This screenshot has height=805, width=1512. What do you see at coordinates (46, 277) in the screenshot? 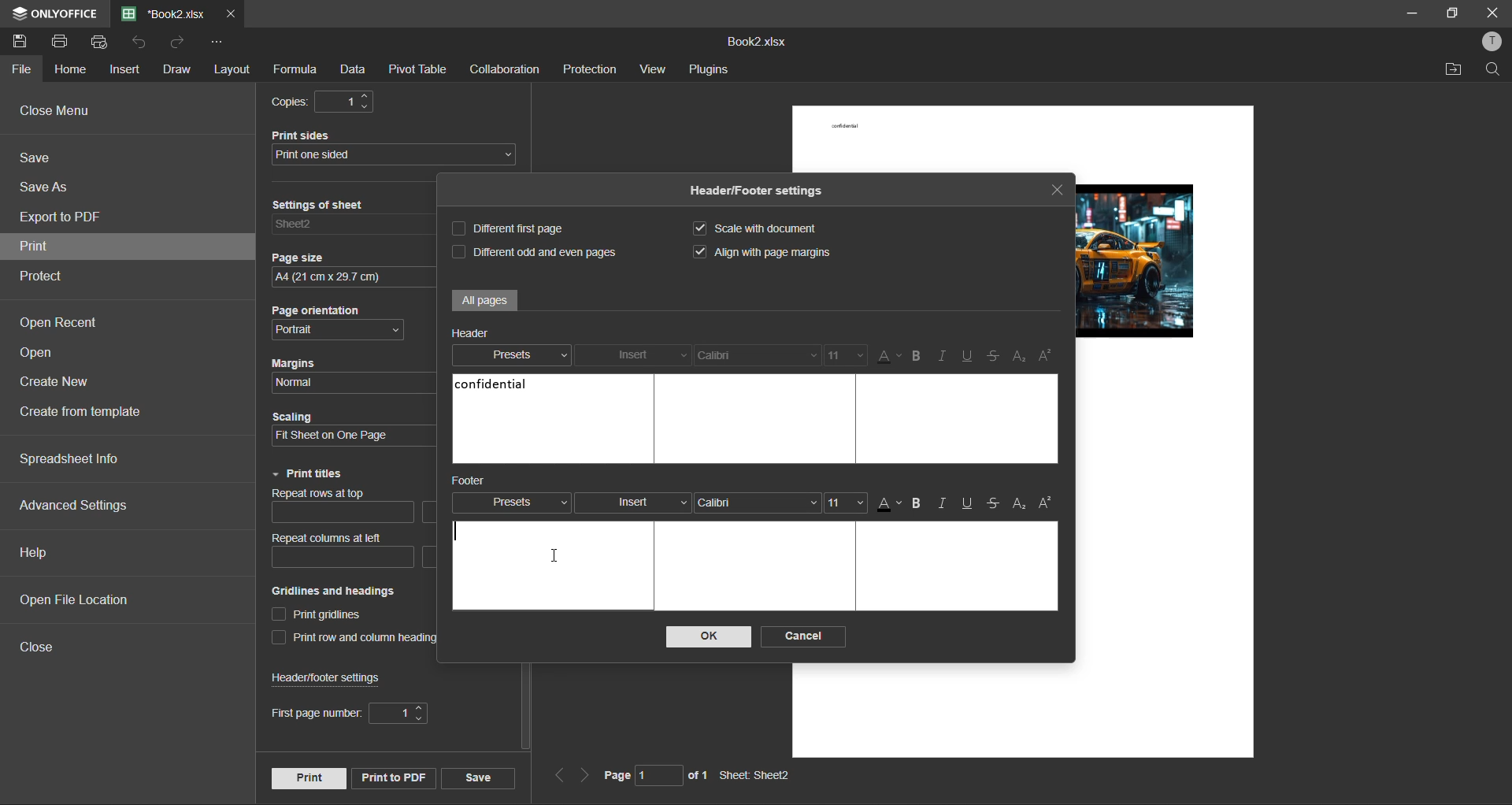
I see `protect` at bounding box center [46, 277].